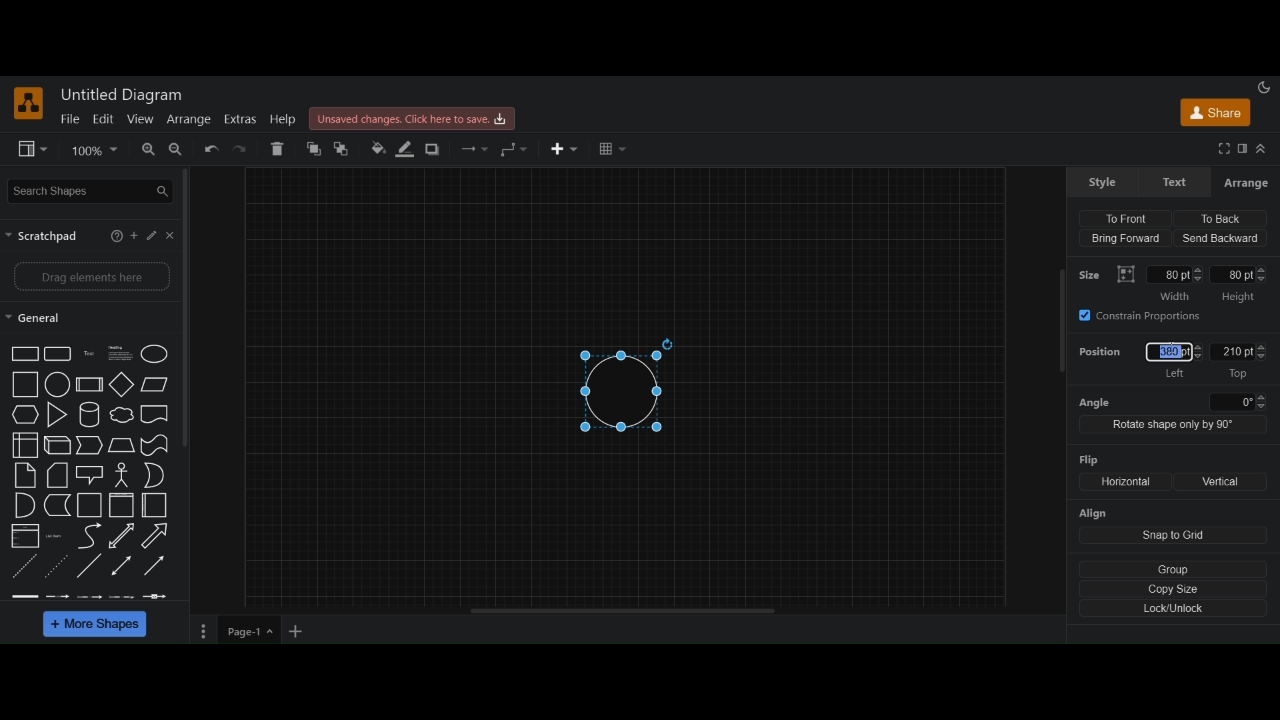 The height and width of the screenshot is (720, 1280). Describe the element at coordinates (58, 506) in the screenshot. I see `free shape` at that location.